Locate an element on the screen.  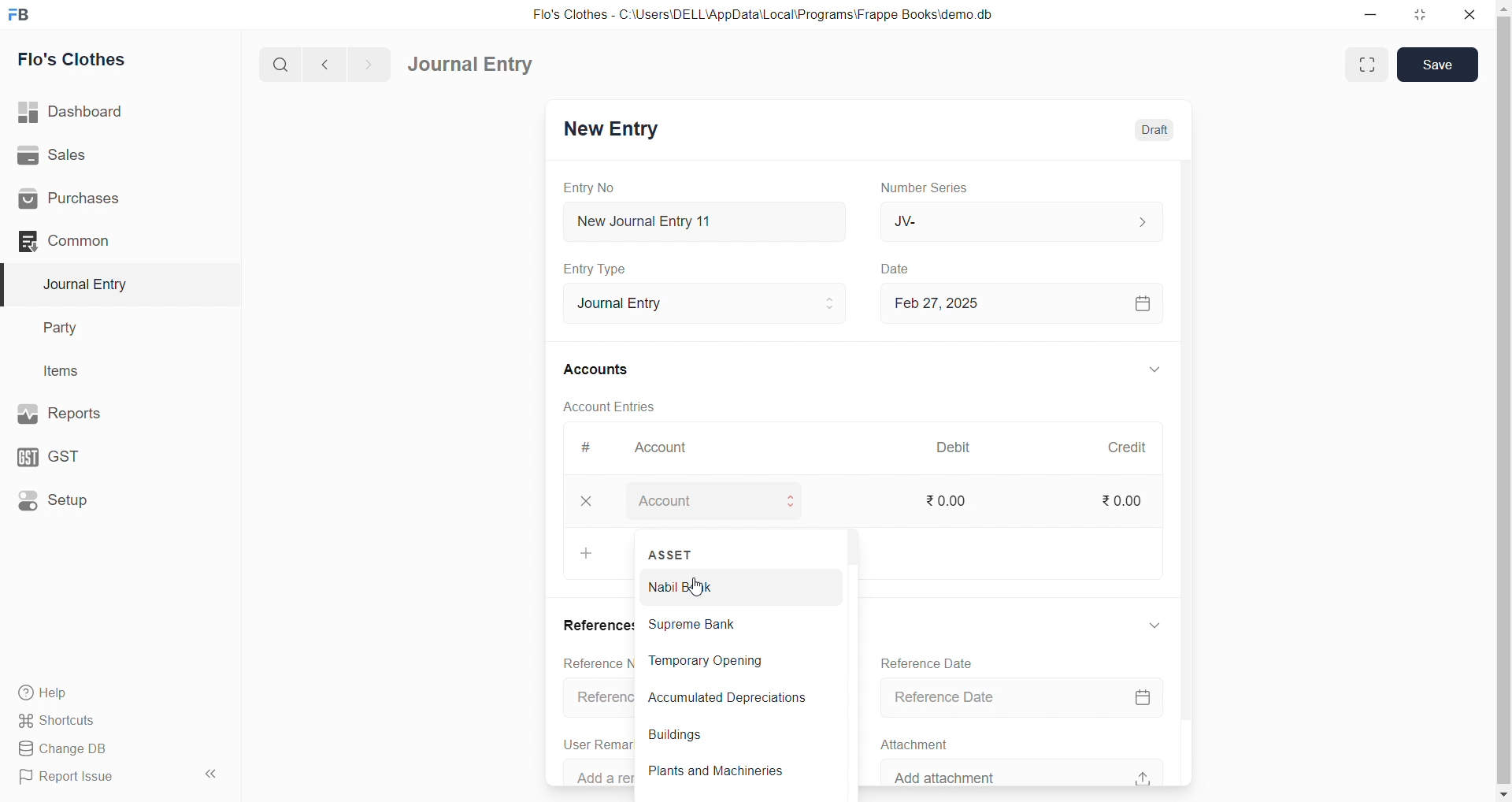
Purchases is located at coordinates (95, 200).